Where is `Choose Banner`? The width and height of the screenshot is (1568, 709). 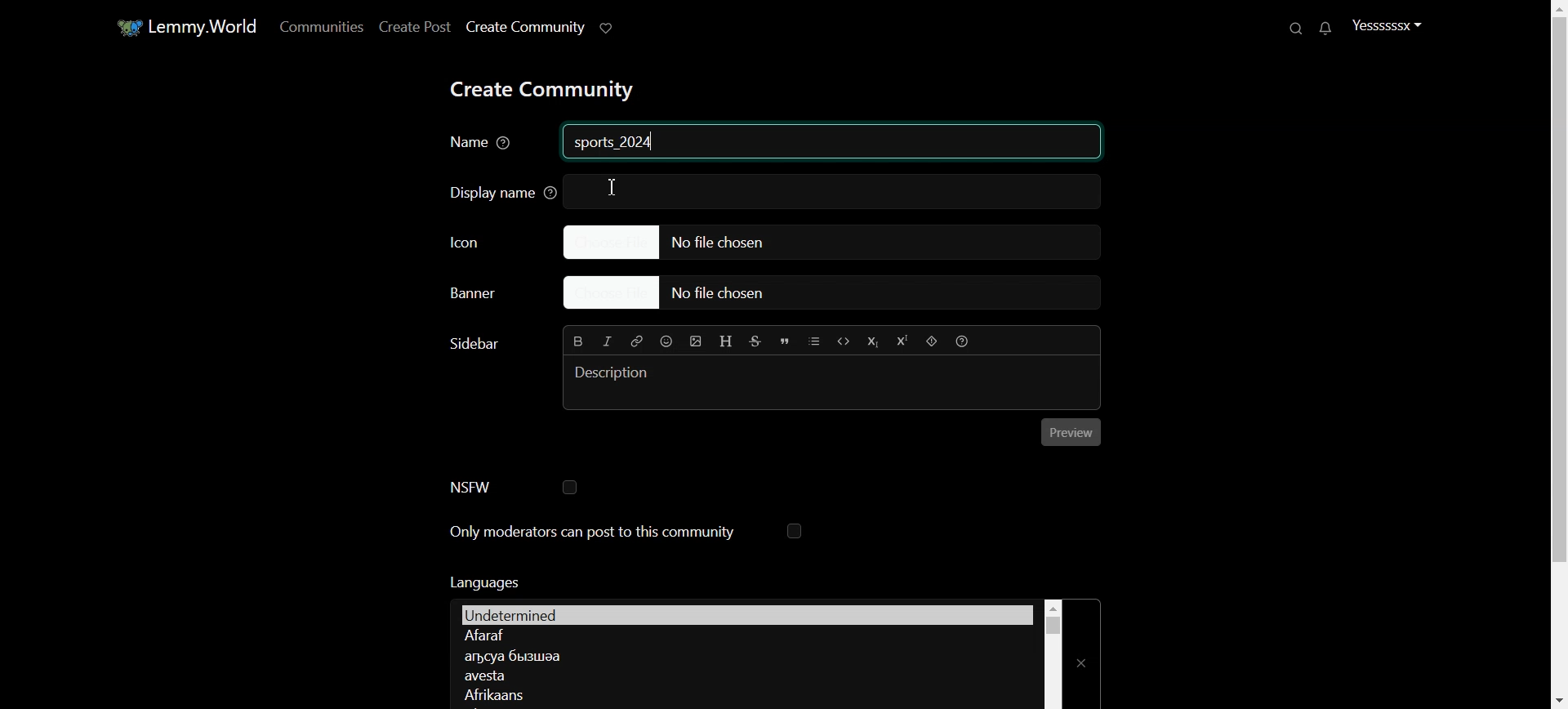 Choose Banner is located at coordinates (486, 296).